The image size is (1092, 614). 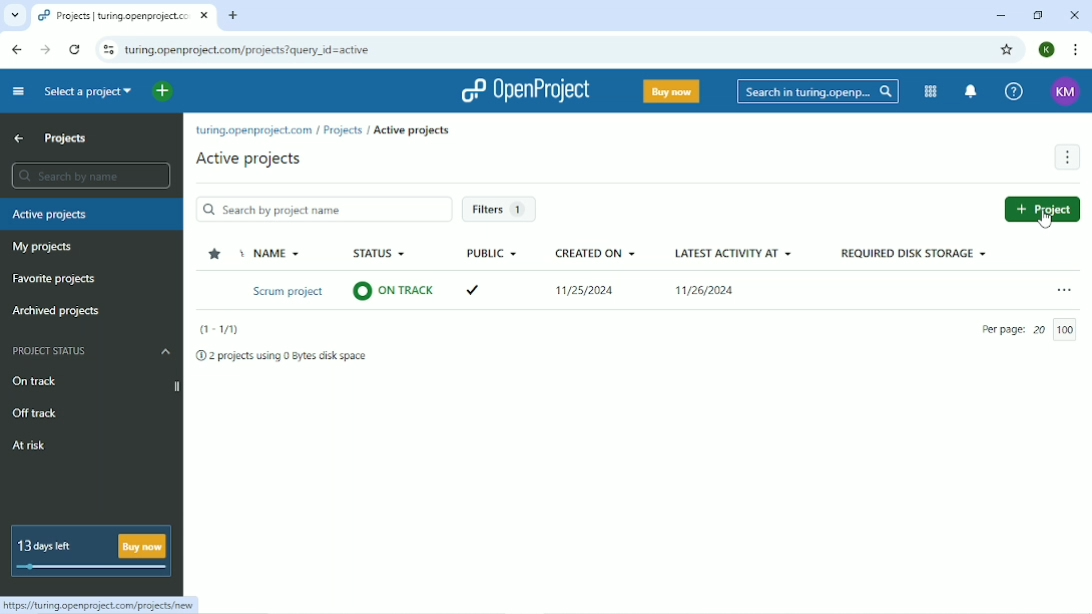 I want to click on Forward, so click(x=46, y=50).